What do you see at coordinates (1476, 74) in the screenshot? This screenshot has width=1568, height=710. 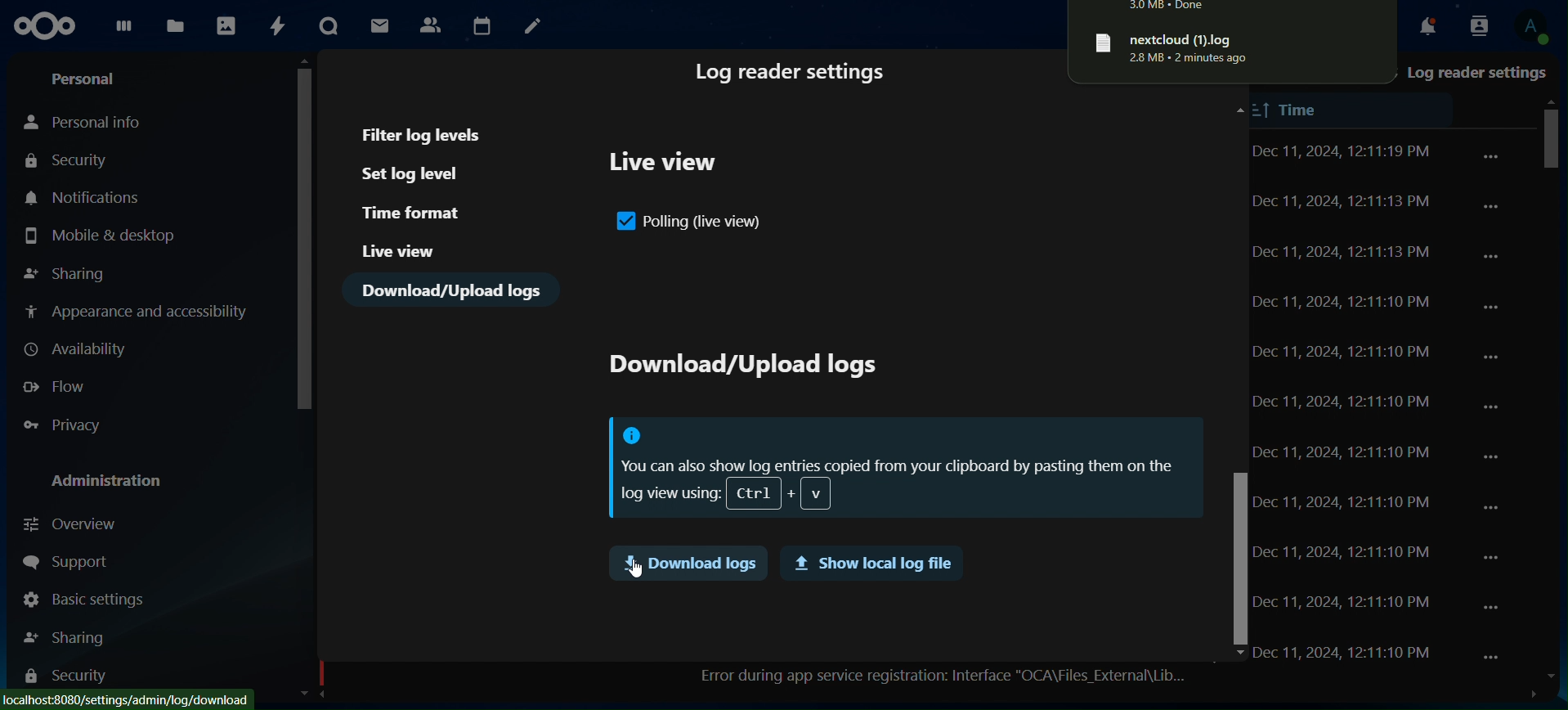 I see `log reader settings` at bounding box center [1476, 74].